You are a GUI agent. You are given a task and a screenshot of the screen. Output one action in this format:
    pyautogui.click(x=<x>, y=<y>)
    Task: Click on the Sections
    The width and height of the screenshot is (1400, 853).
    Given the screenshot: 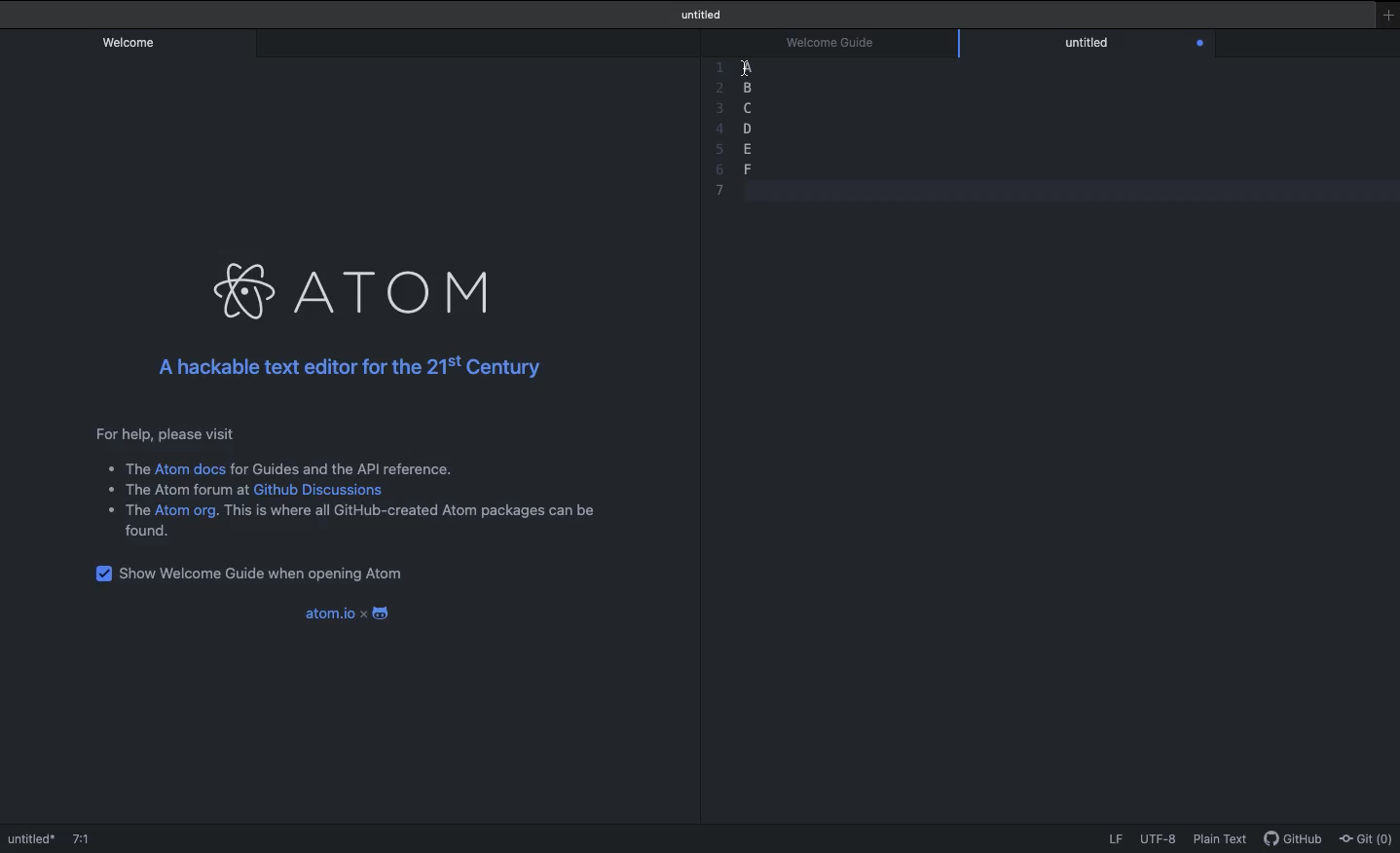 What is the action you would take?
    pyautogui.click(x=747, y=68)
    